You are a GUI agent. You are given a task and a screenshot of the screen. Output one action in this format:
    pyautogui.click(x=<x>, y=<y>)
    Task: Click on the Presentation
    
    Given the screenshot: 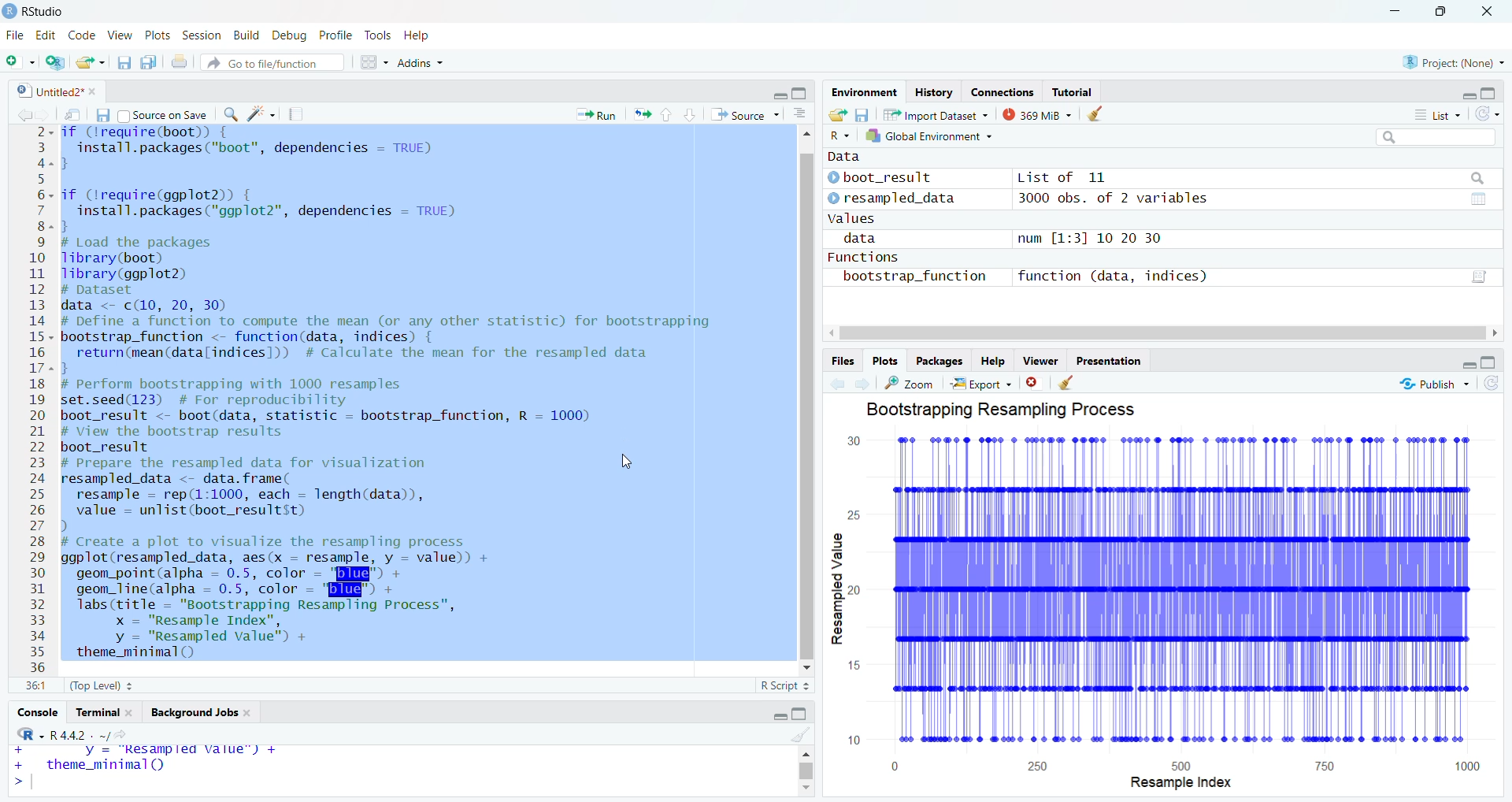 What is the action you would take?
    pyautogui.click(x=1109, y=360)
    